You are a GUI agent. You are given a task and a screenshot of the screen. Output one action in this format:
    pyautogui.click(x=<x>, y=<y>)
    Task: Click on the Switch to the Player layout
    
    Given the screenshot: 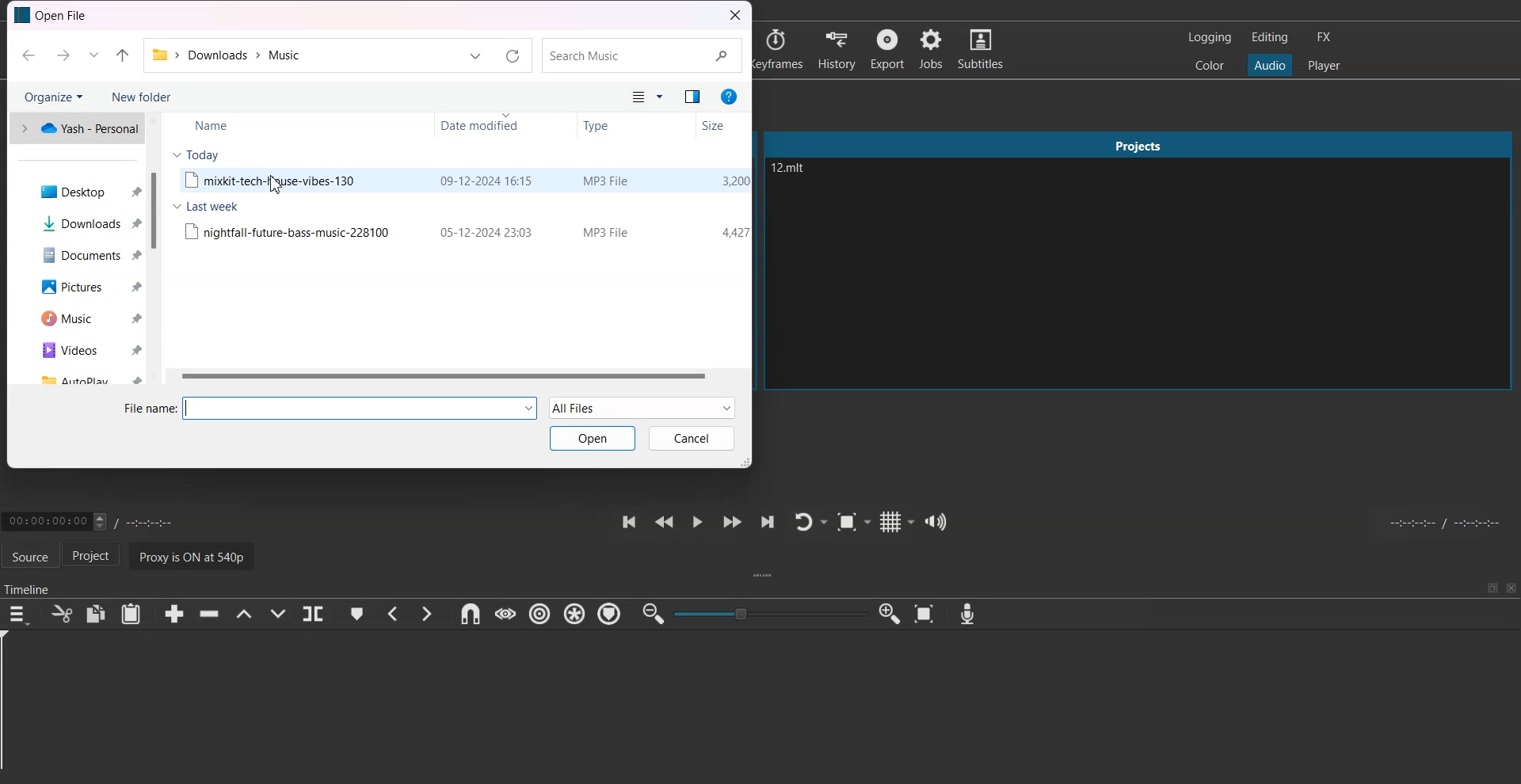 What is the action you would take?
    pyautogui.click(x=1325, y=64)
    